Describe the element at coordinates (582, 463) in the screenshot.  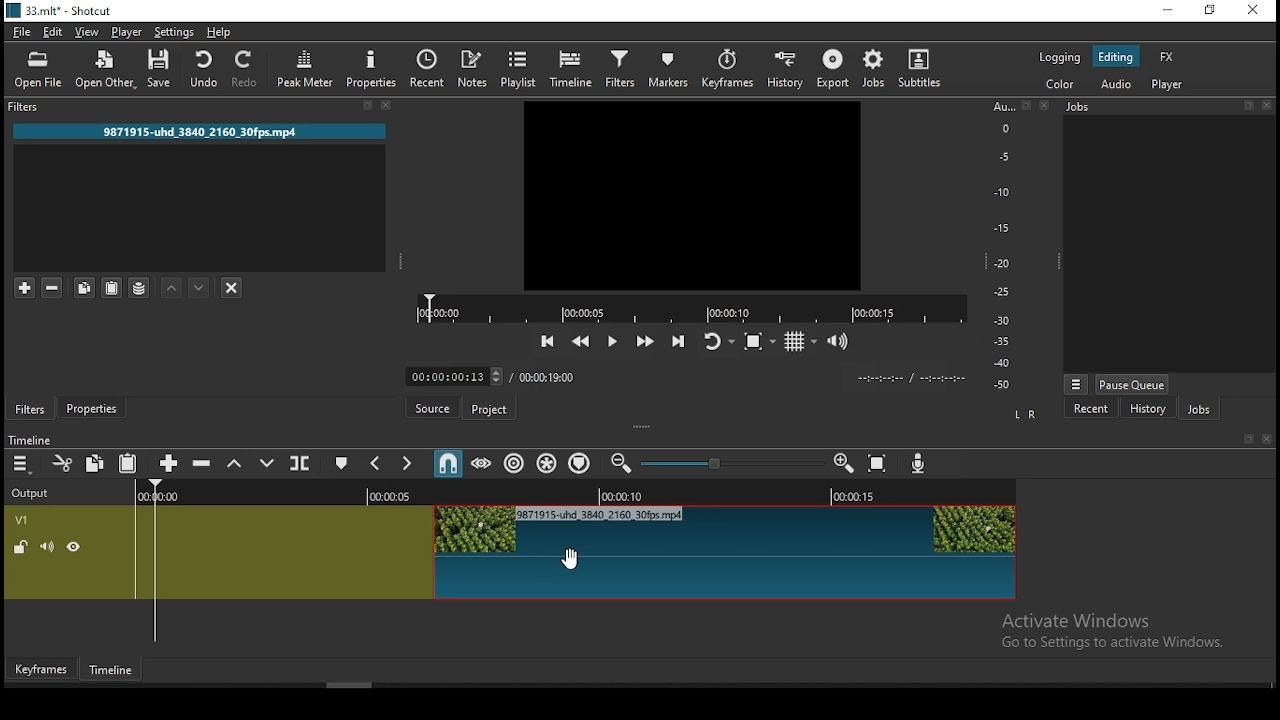
I see `ripple markers` at that location.